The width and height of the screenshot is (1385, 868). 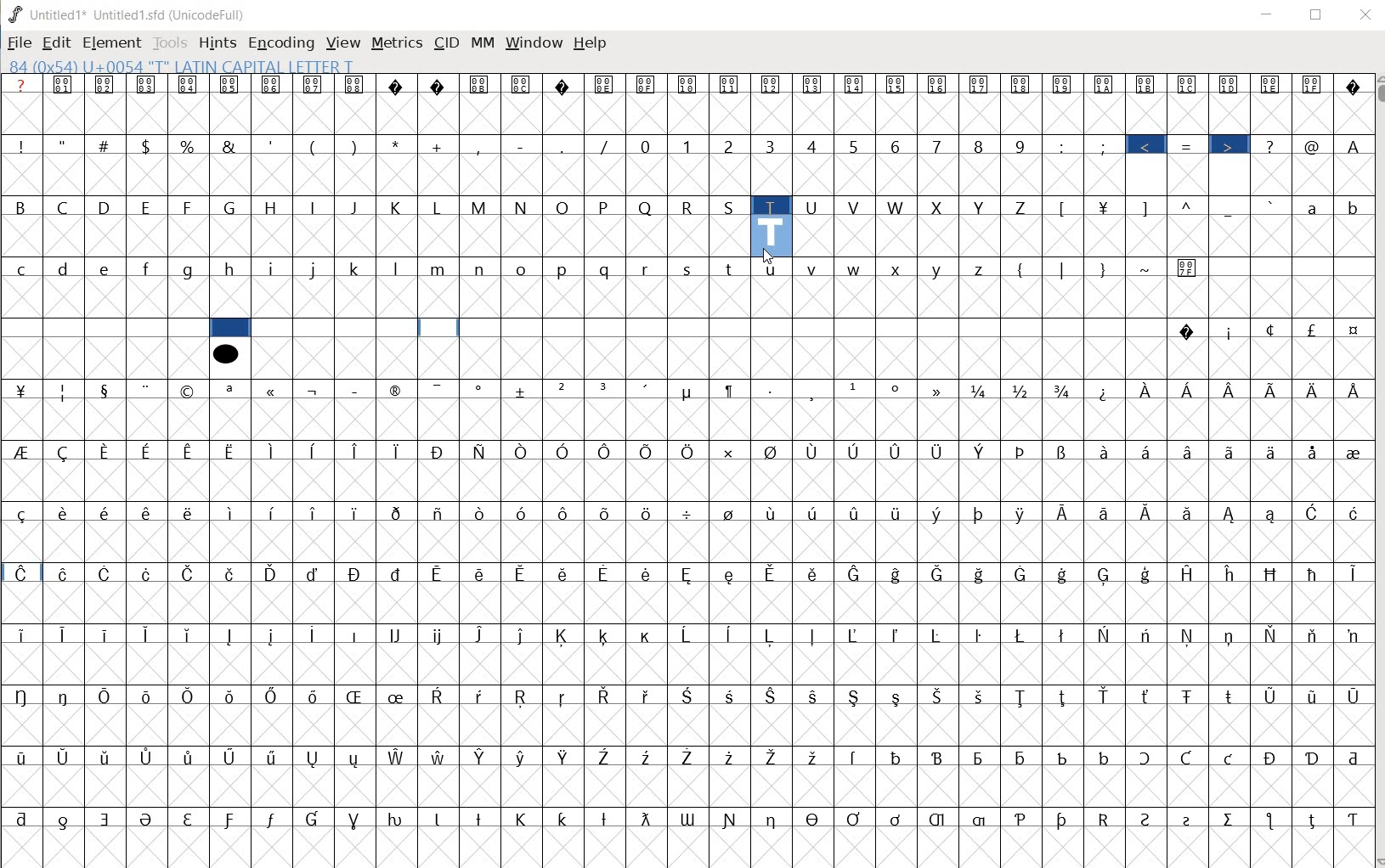 I want to click on metrics, so click(x=396, y=47).